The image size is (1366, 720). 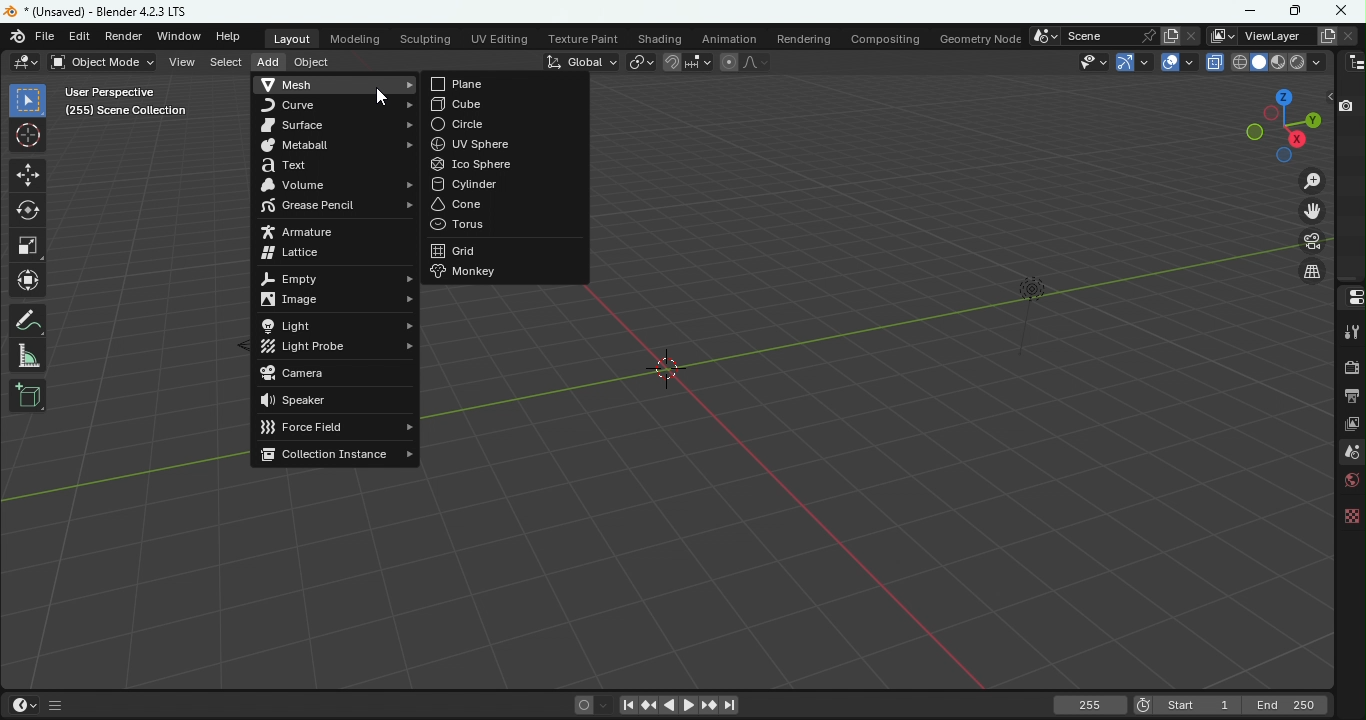 What do you see at coordinates (506, 124) in the screenshot?
I see `Circle` at bounding box center [506, 124].